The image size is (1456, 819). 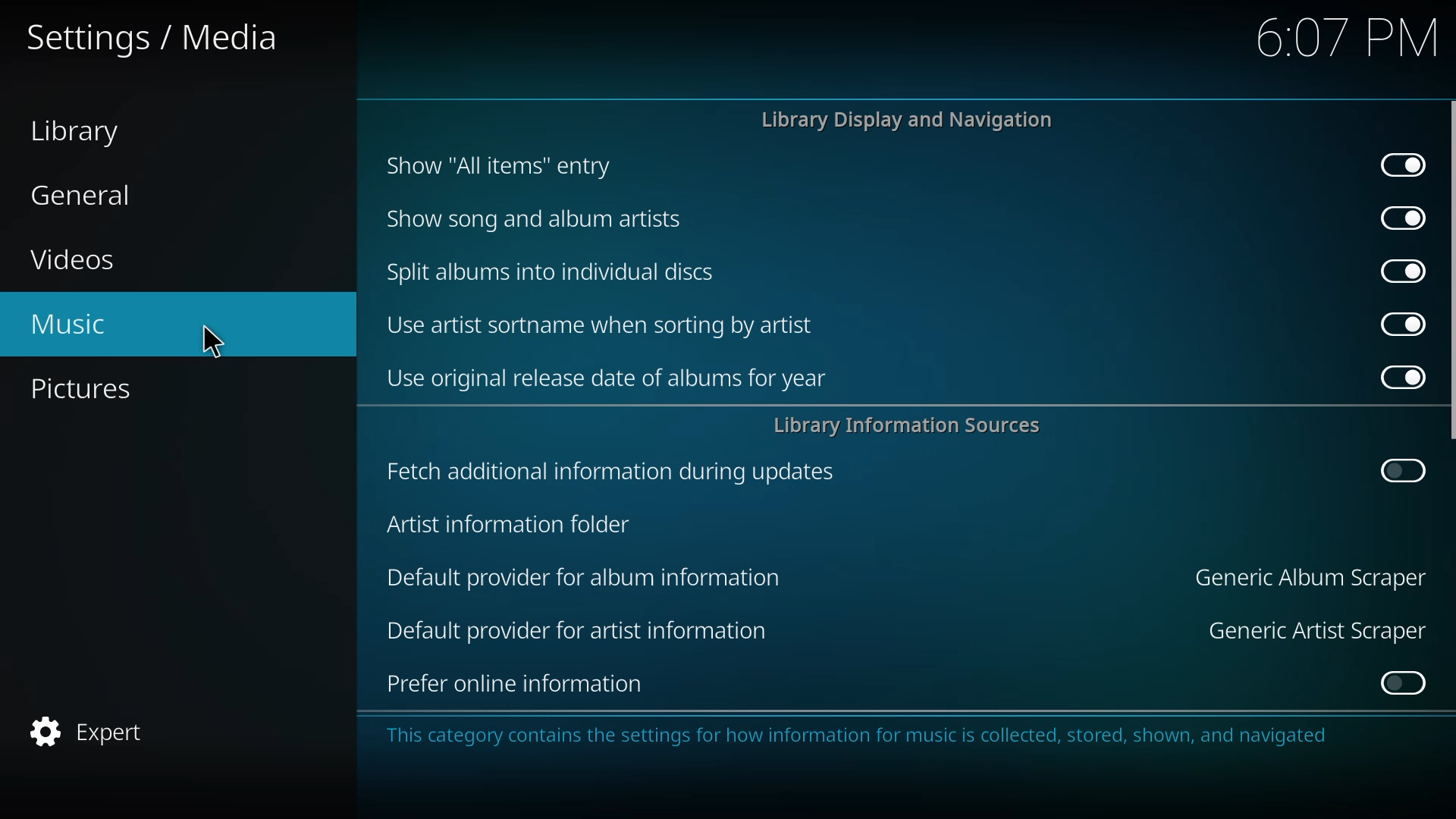 I want to click on general, so click(x=96, y=197).